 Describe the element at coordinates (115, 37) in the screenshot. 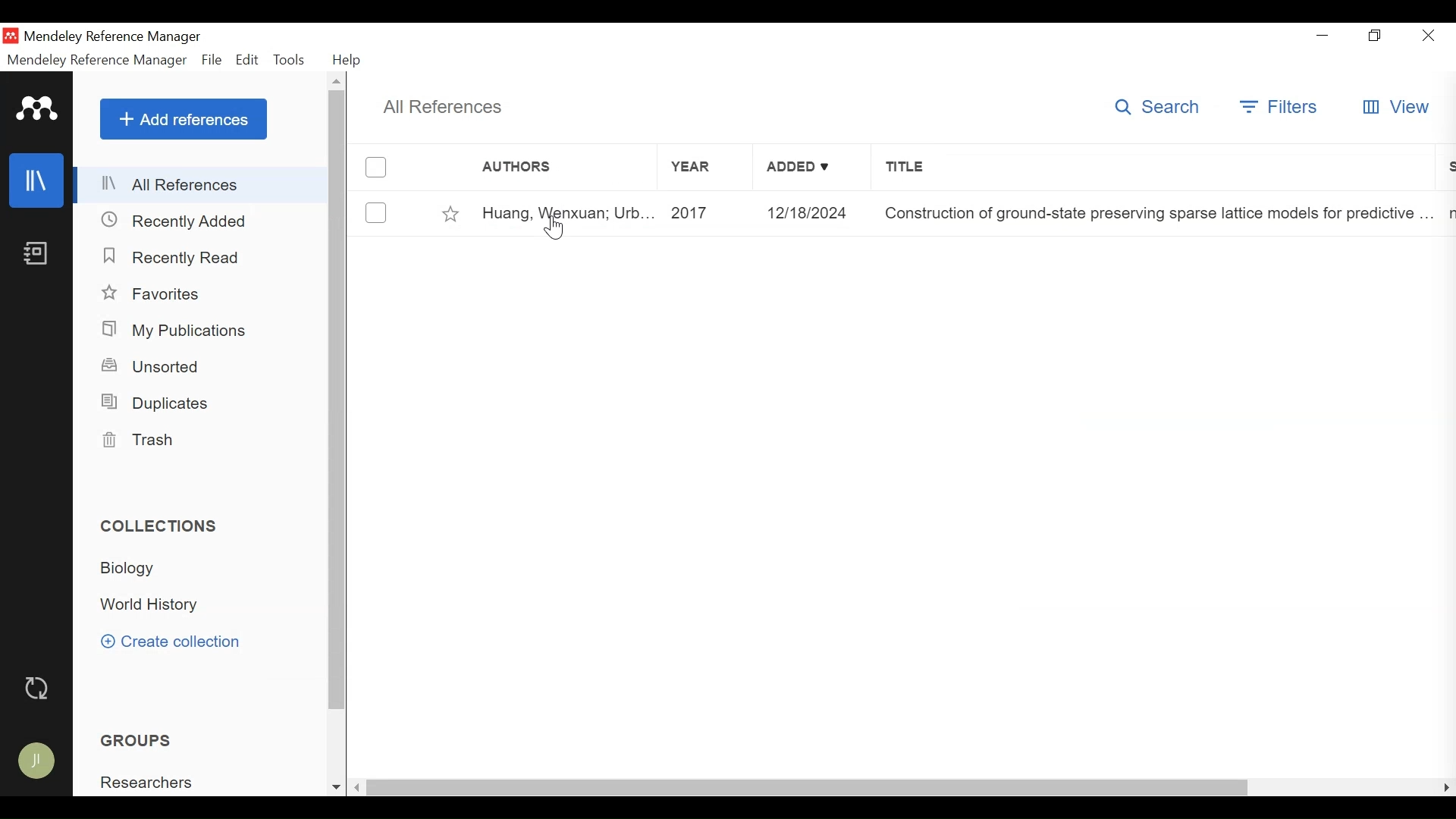

I see `Mendeley Reference Manager` at that location.